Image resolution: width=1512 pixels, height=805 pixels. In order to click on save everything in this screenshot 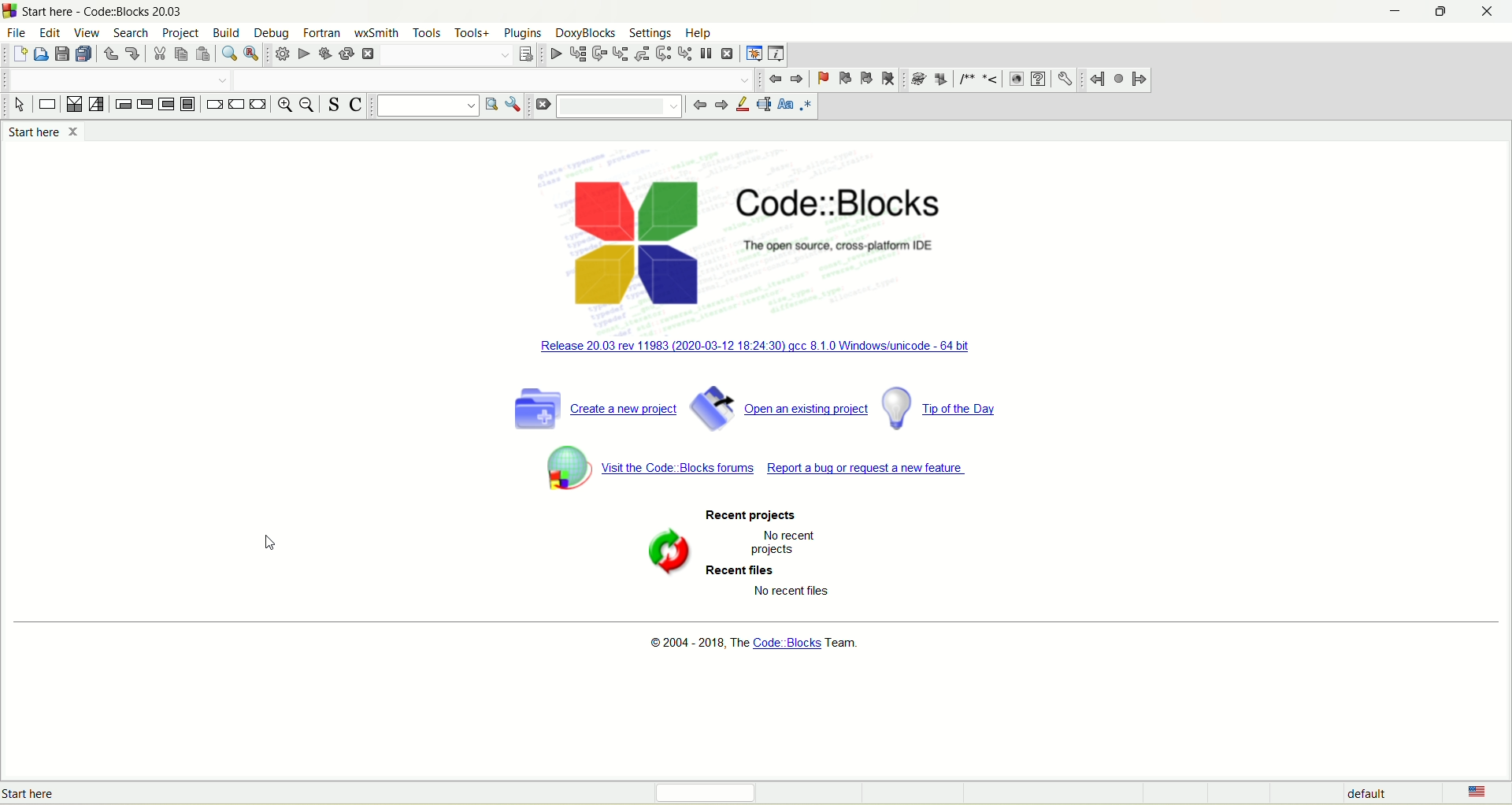, I will do `click(85, 54)`.